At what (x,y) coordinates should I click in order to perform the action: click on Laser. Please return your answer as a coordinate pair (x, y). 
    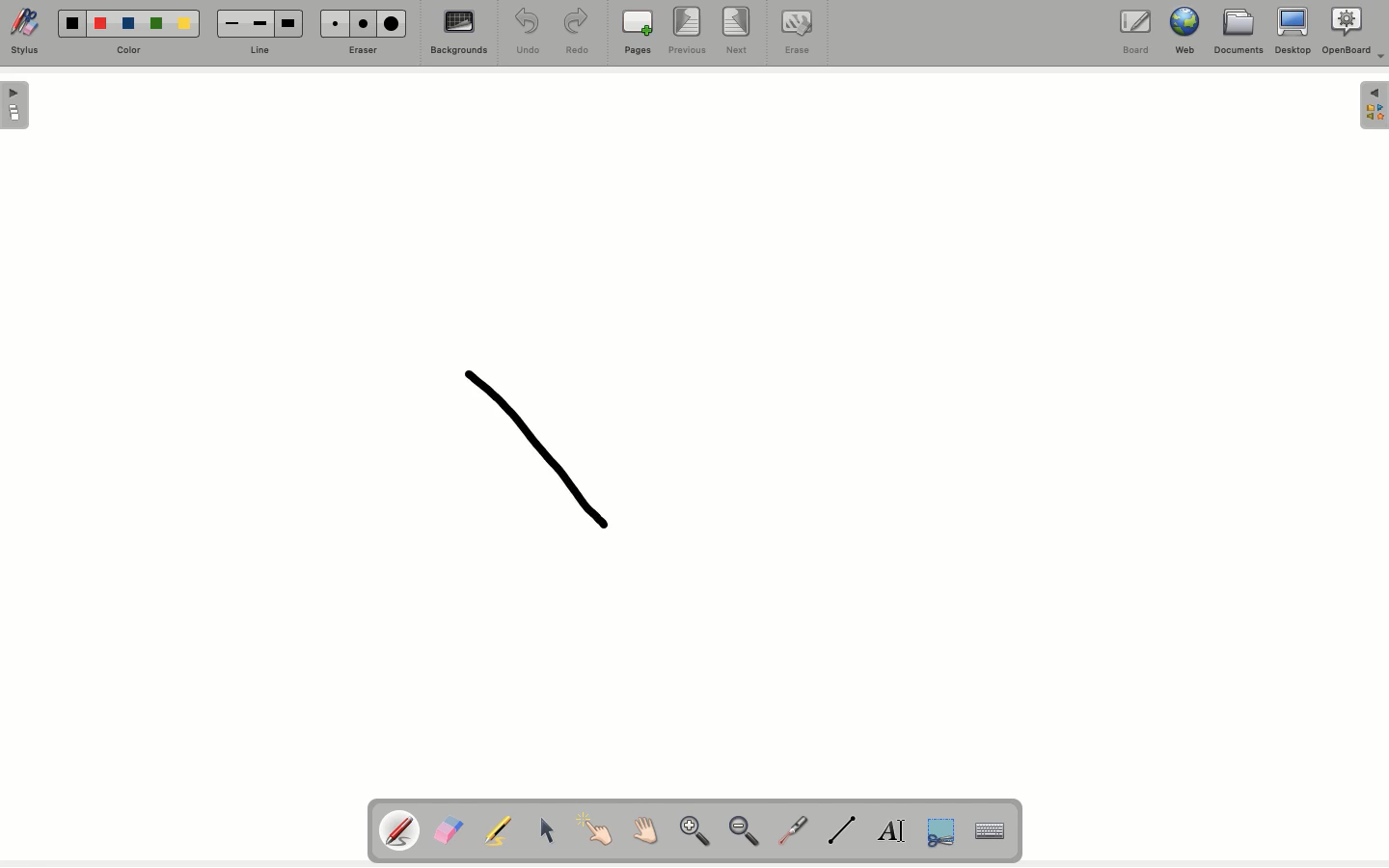
    Looking at the image, I should click on (795, 830).